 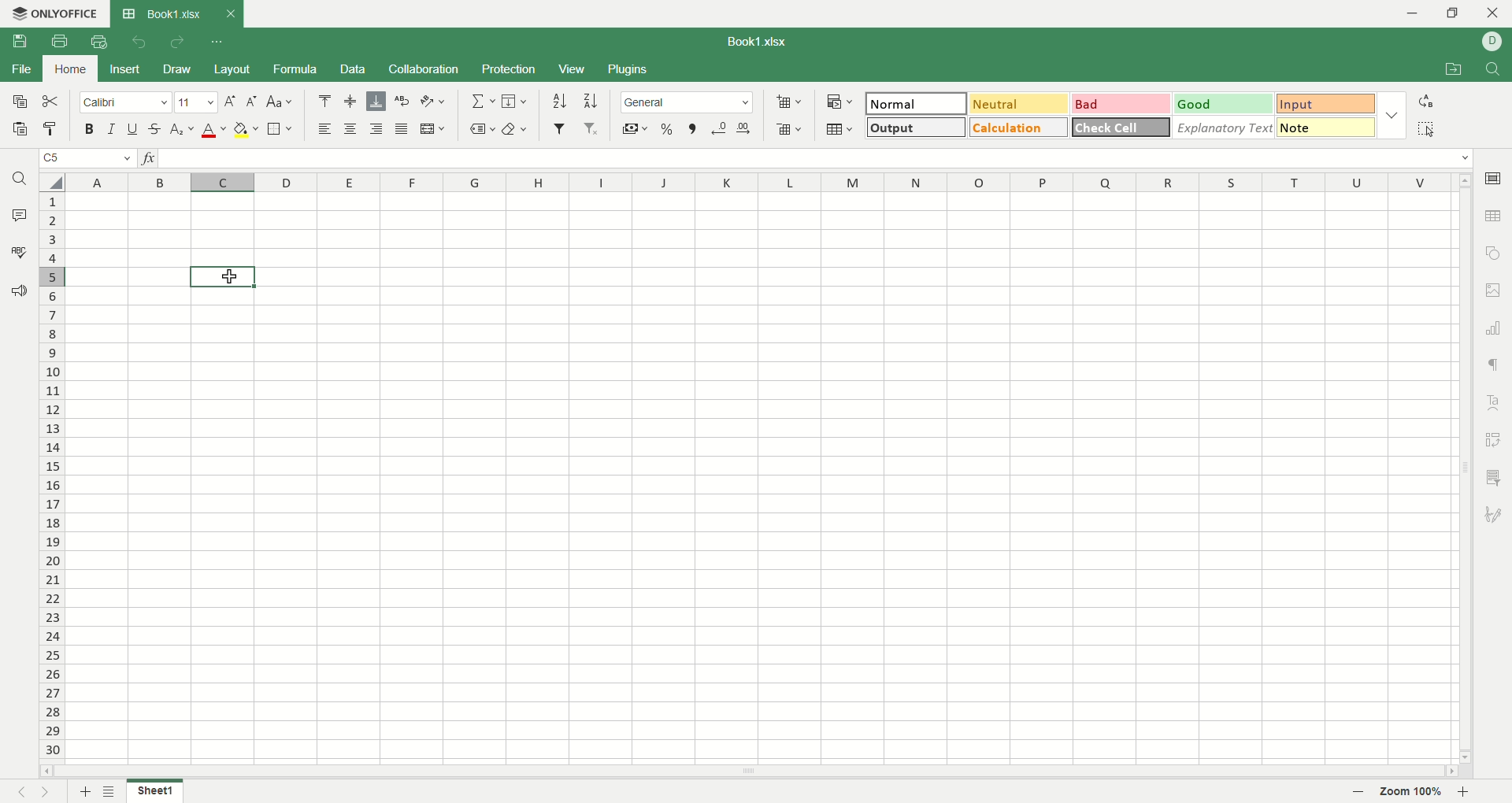 I want to click on italics, so click(x=109, y=128).